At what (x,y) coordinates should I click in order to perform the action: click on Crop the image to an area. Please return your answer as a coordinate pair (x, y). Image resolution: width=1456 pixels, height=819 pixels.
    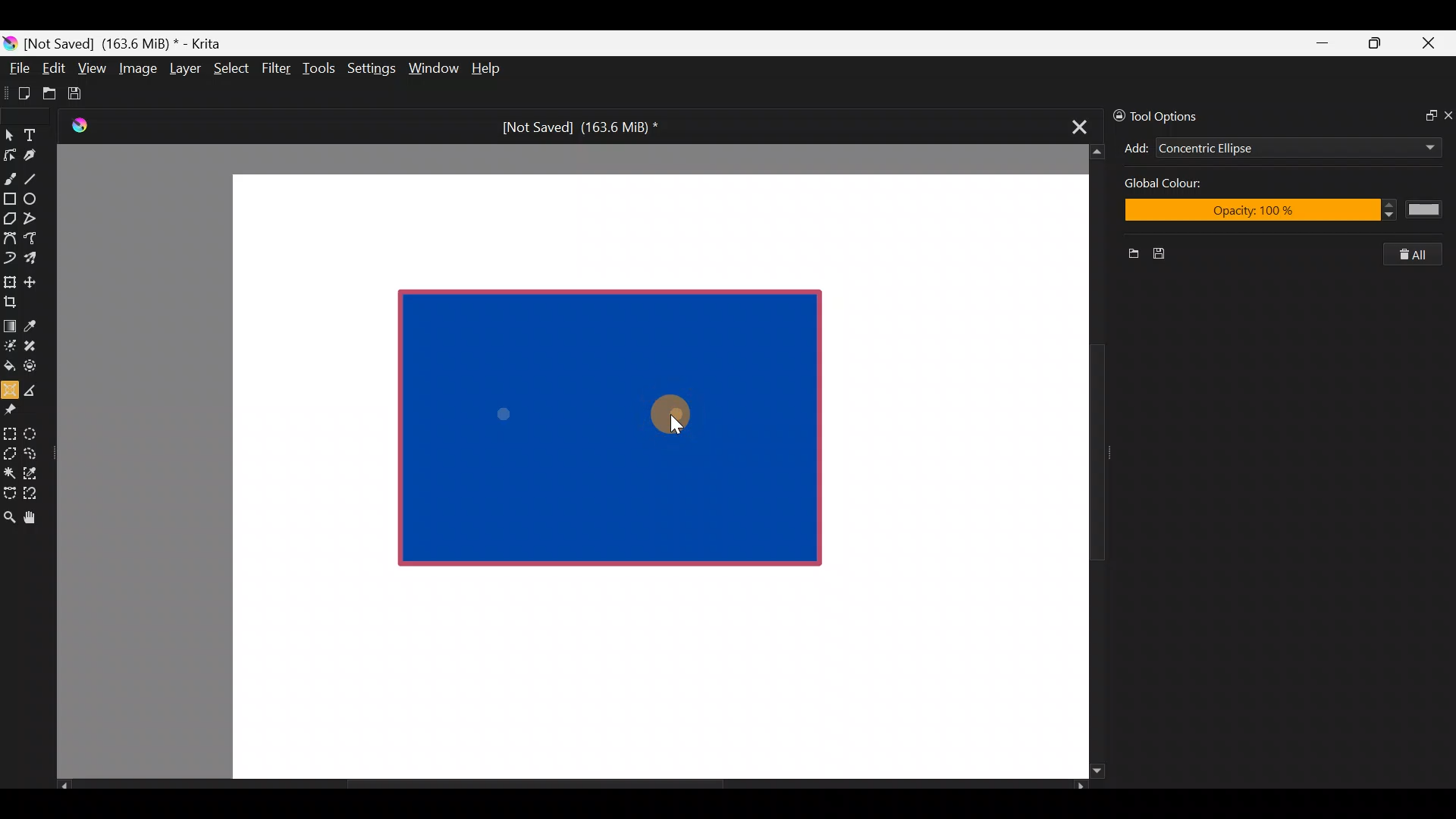
    Looking at the image, I should click on (15, 301).